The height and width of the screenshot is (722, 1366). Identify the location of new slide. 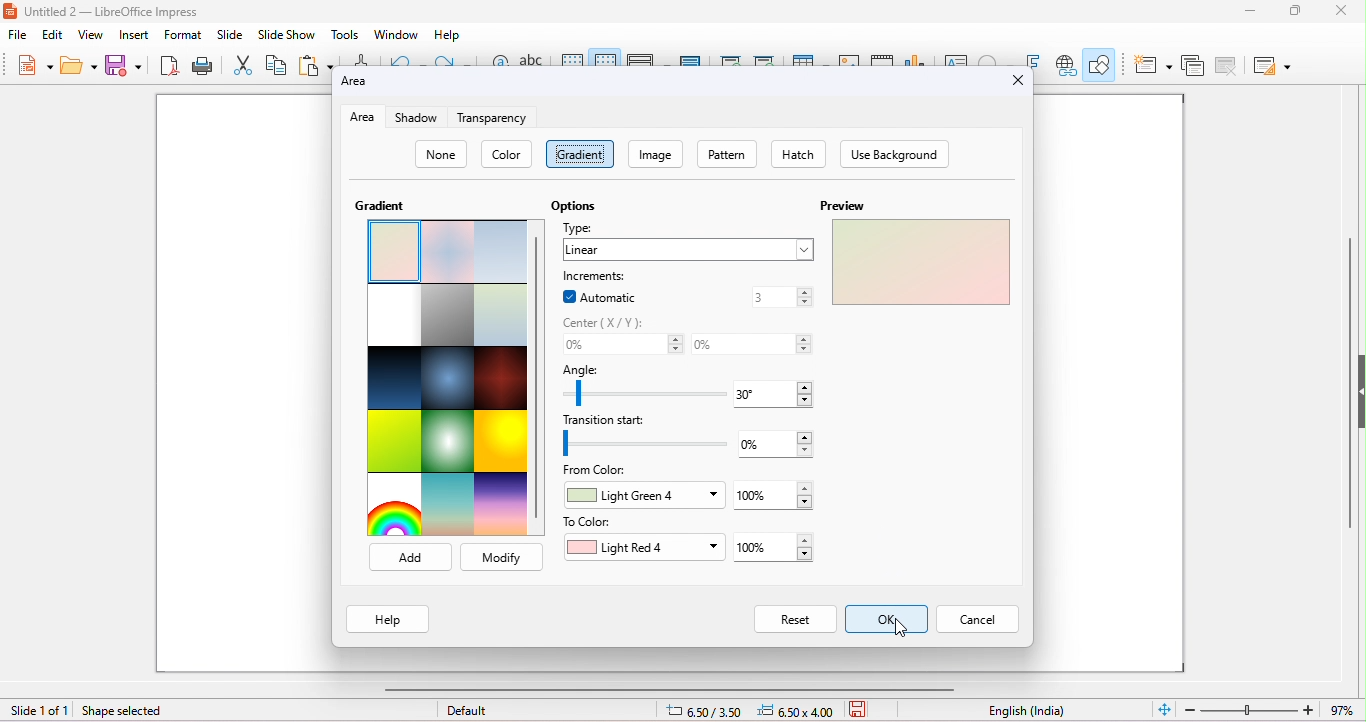
(1153, 66).